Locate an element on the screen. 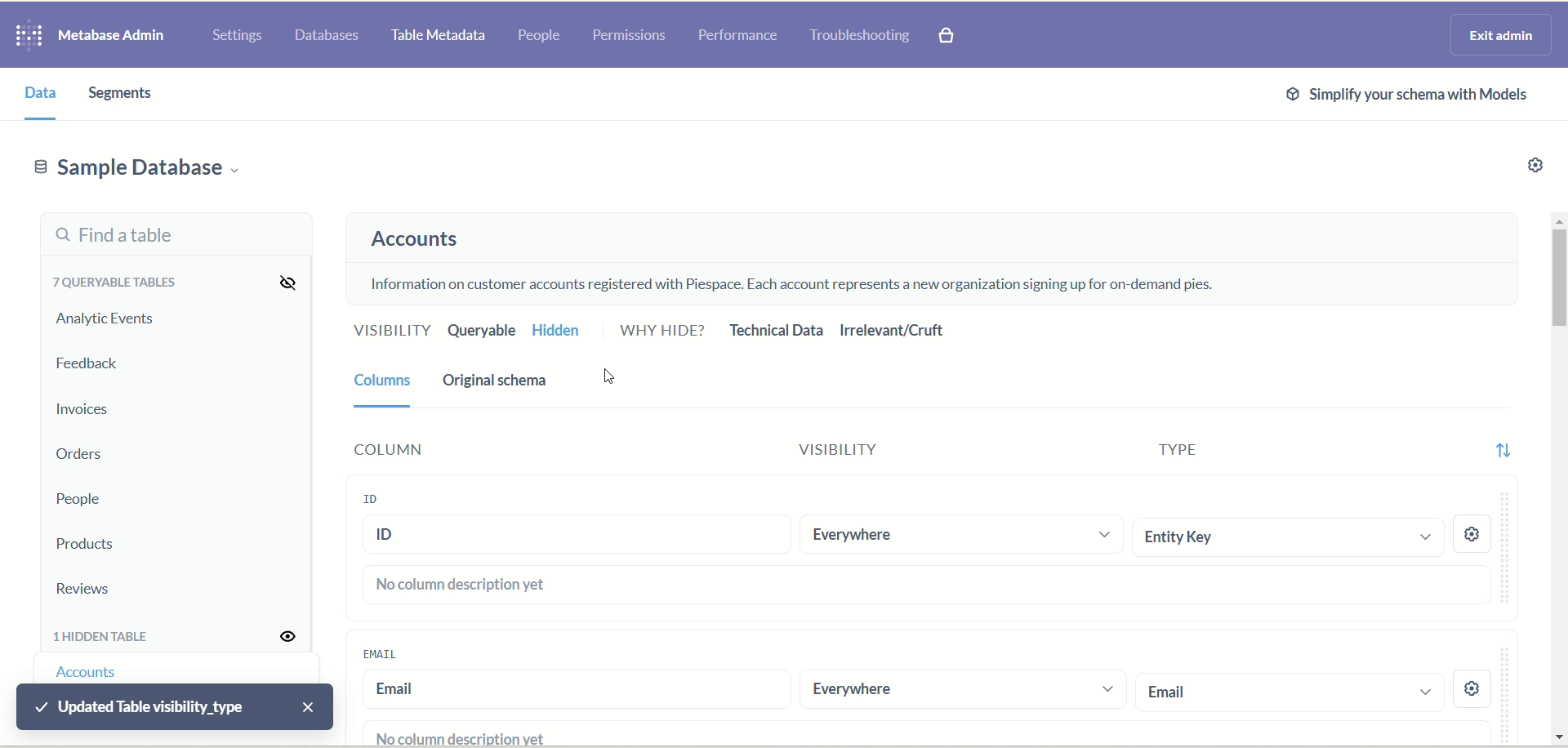  ID is located at coordinates (575, 537).